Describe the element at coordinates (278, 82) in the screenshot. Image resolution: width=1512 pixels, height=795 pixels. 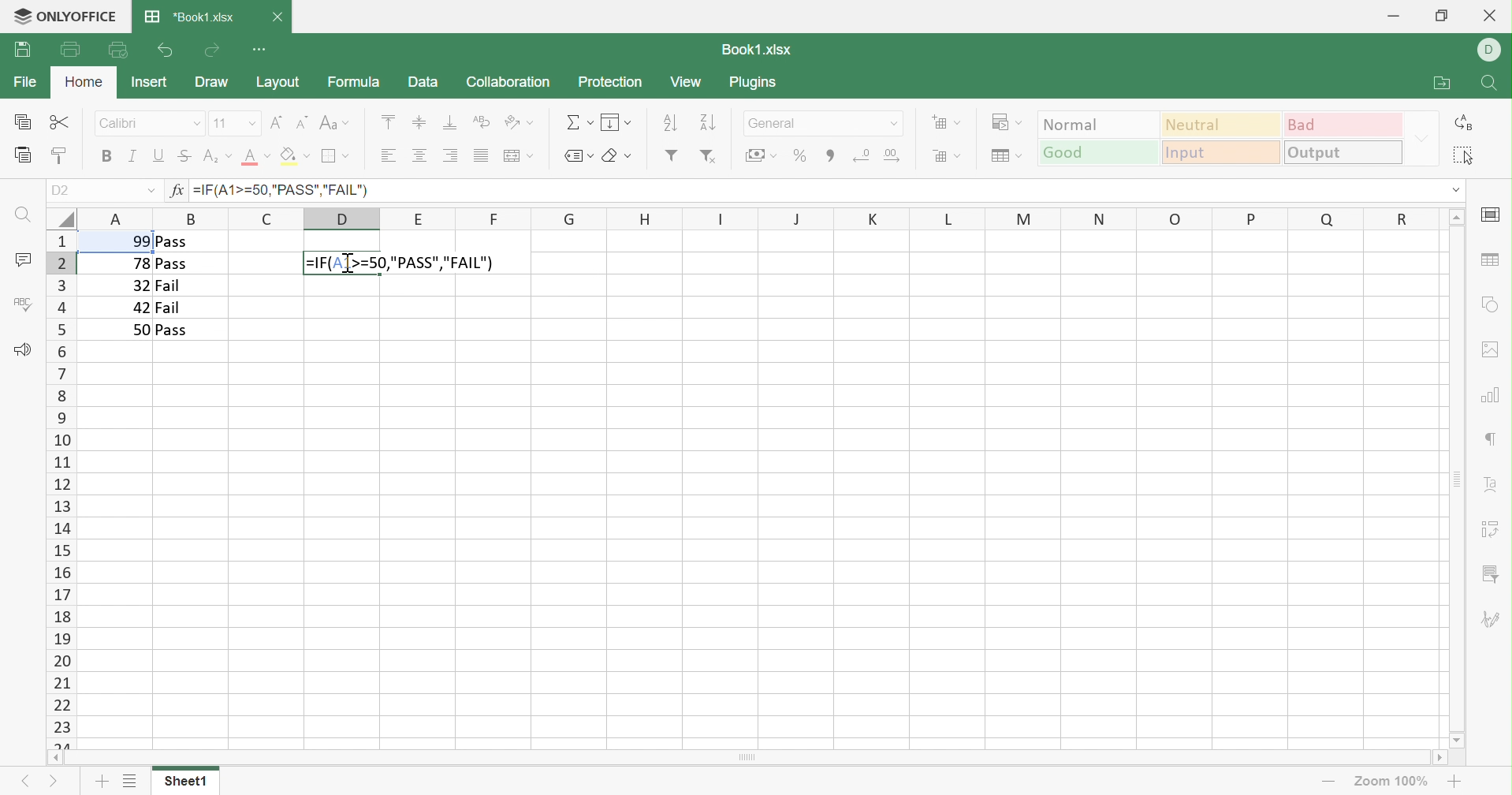
I see `Layout` at that location.